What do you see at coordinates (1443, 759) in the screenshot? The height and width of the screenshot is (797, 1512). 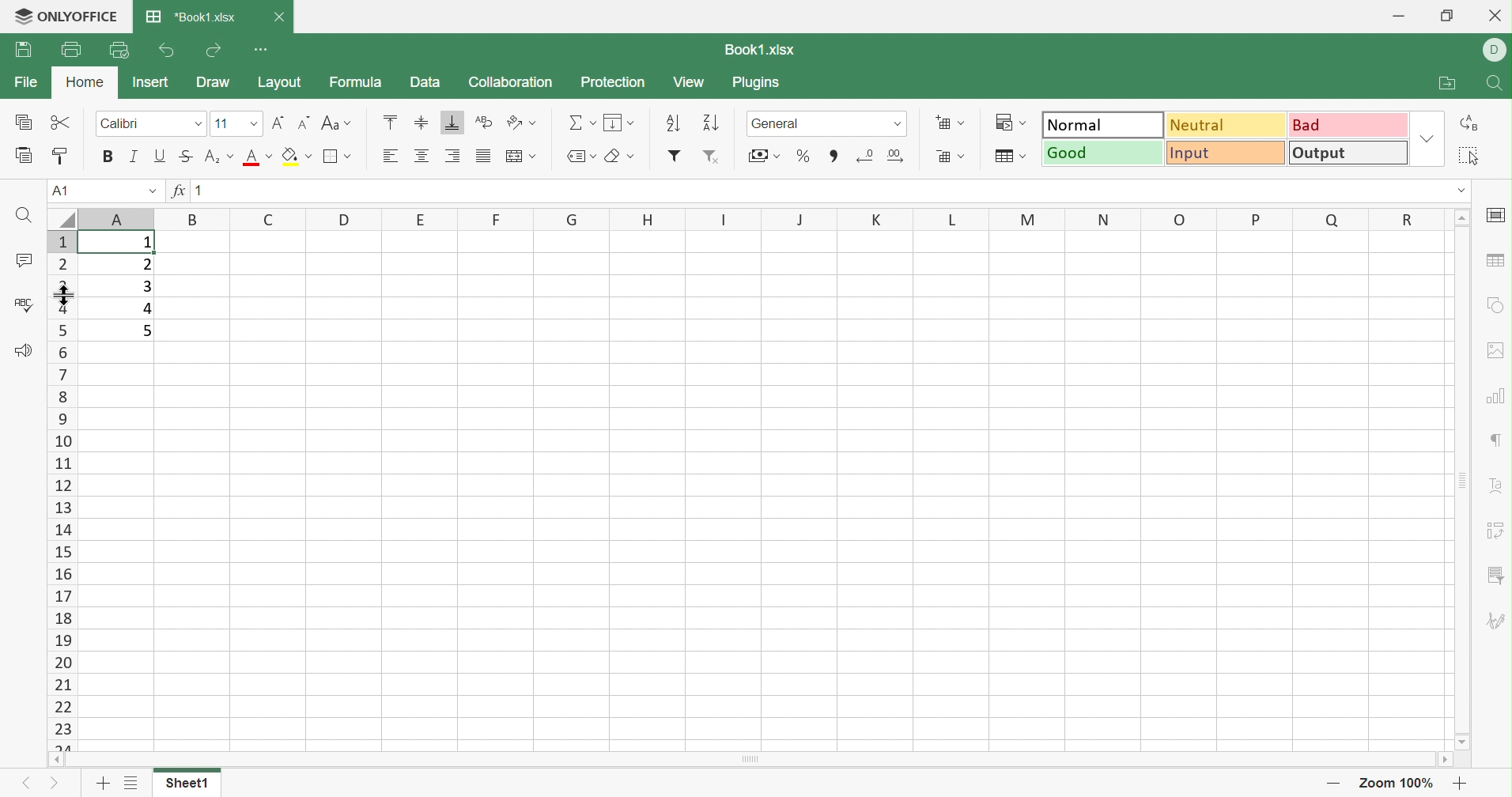 I see `Scroll Right` at bounding box center [1443, 759].